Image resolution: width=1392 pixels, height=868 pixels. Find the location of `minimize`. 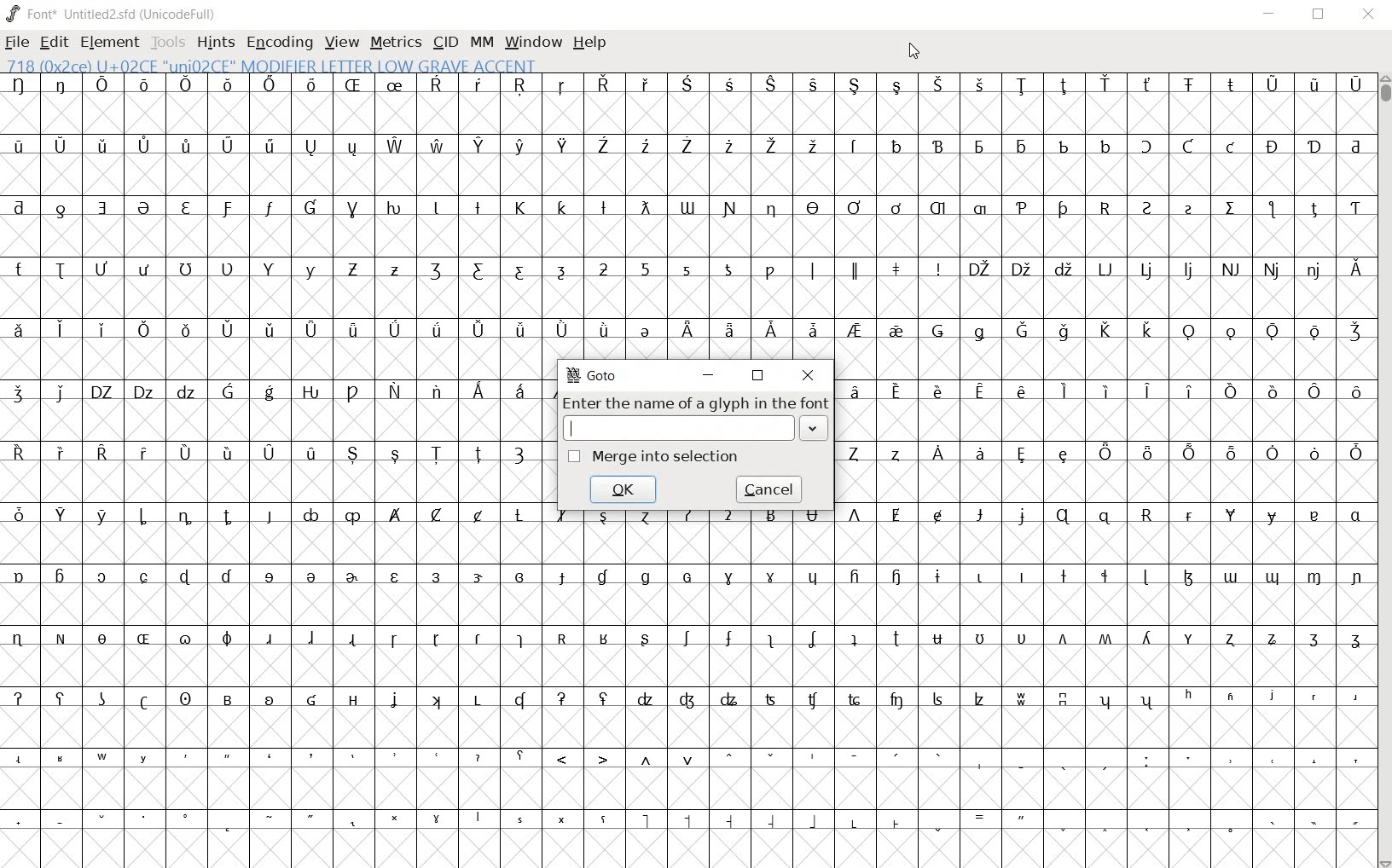

minimize is located at coordinates (710, 376).